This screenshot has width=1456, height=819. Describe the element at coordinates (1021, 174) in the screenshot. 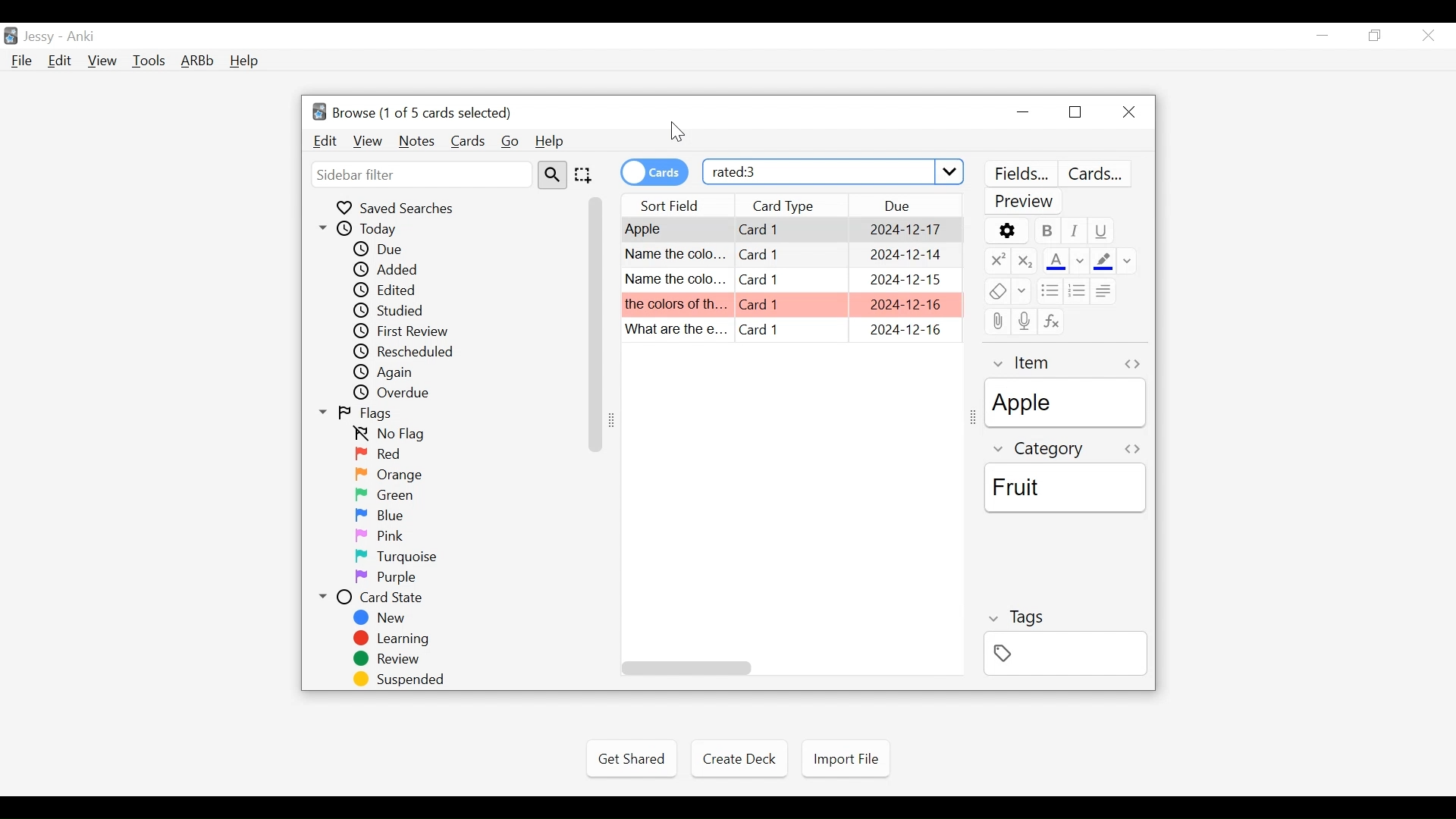

I see `Customize Fields` at that location.